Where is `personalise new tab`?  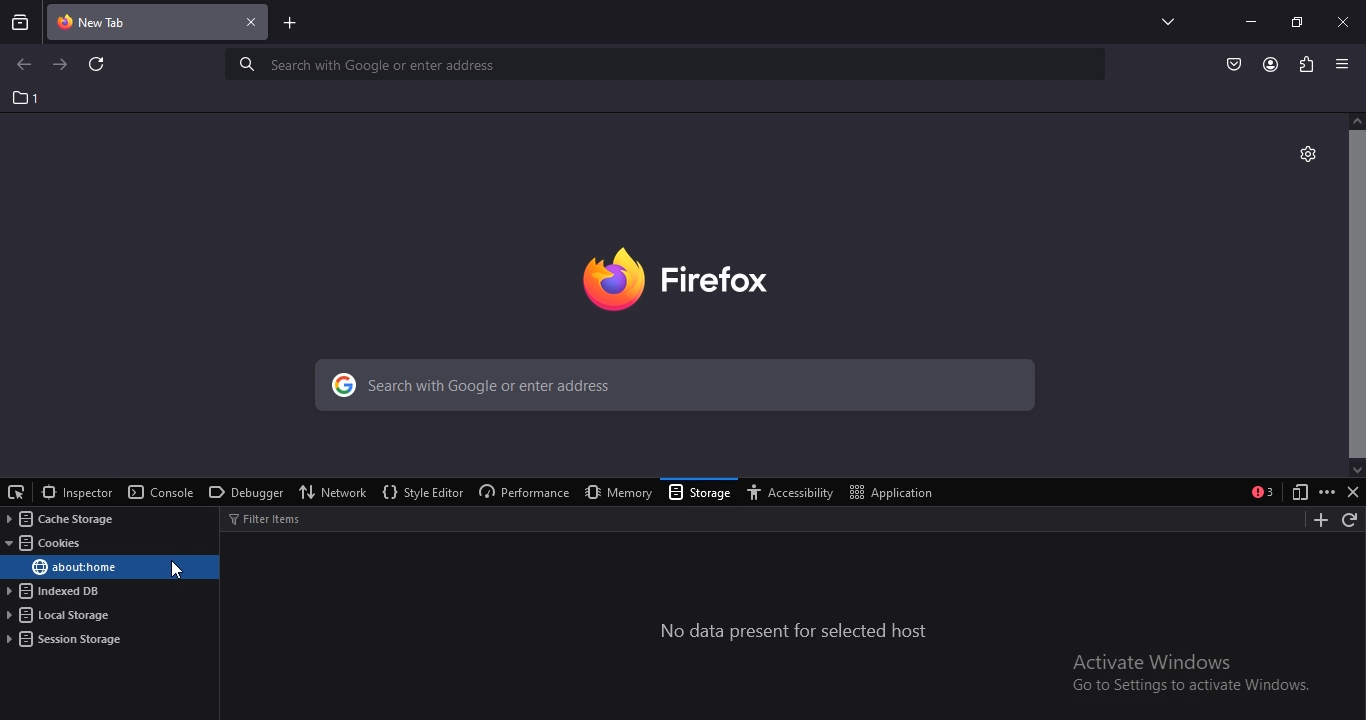
personalise new tab is located at coordinates (1307, 152).